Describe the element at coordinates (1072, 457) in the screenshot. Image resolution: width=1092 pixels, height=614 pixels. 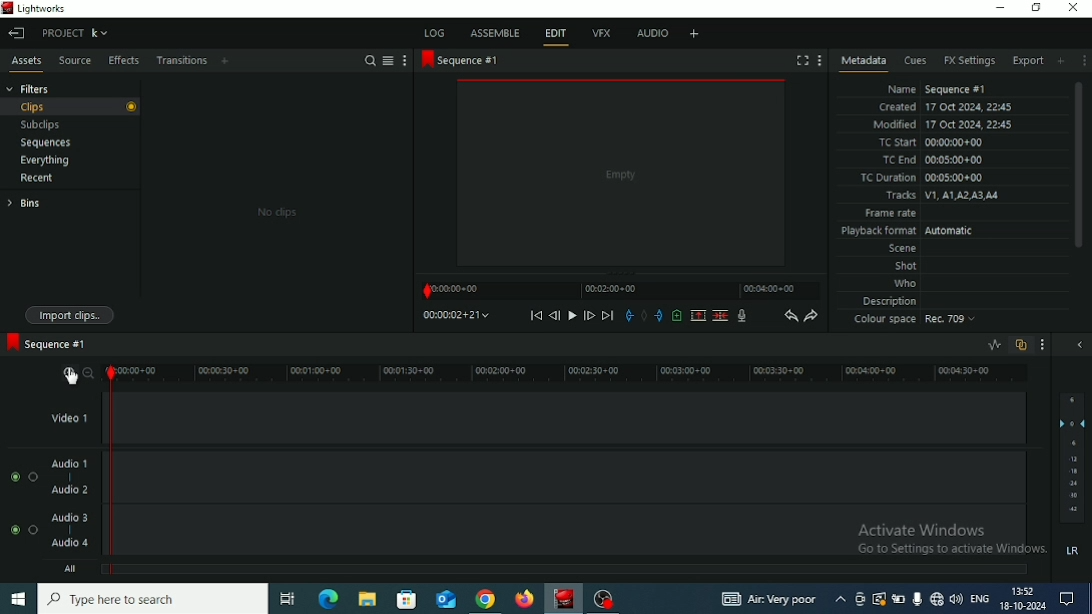
I see `Audio output level ` at that location.